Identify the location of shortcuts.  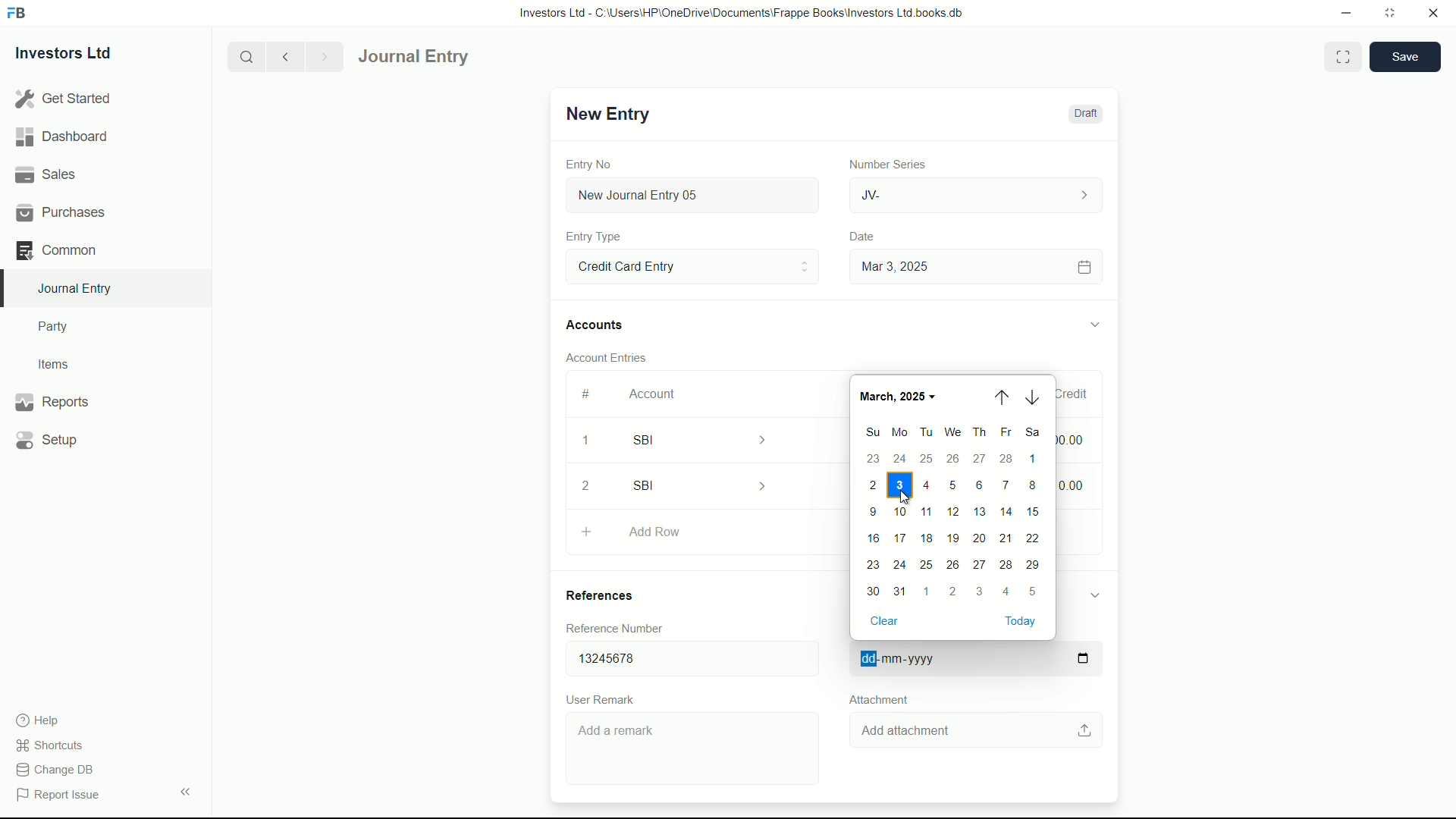
(53, 745).